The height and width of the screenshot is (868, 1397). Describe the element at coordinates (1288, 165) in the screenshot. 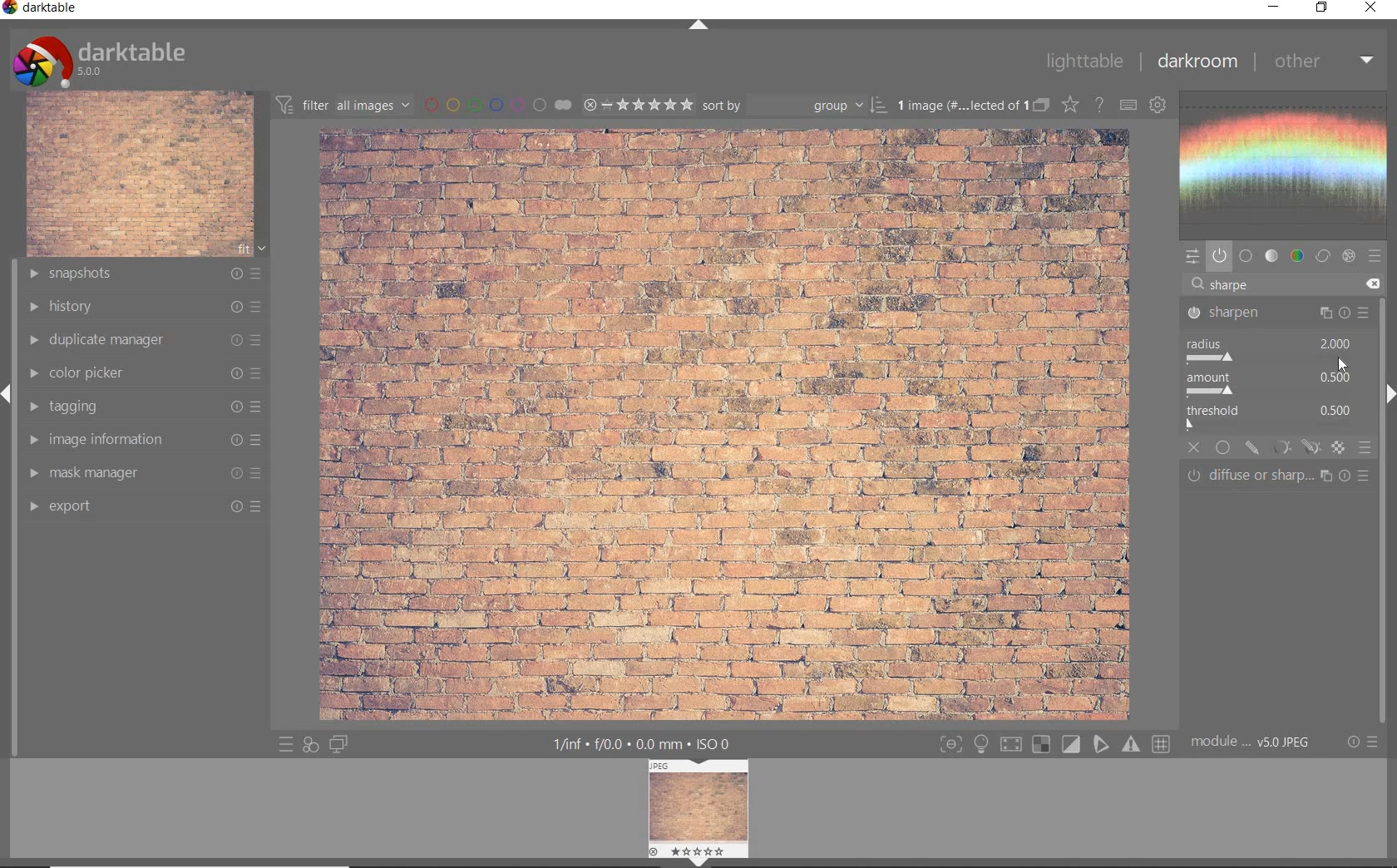

I see `wave form` at that location.